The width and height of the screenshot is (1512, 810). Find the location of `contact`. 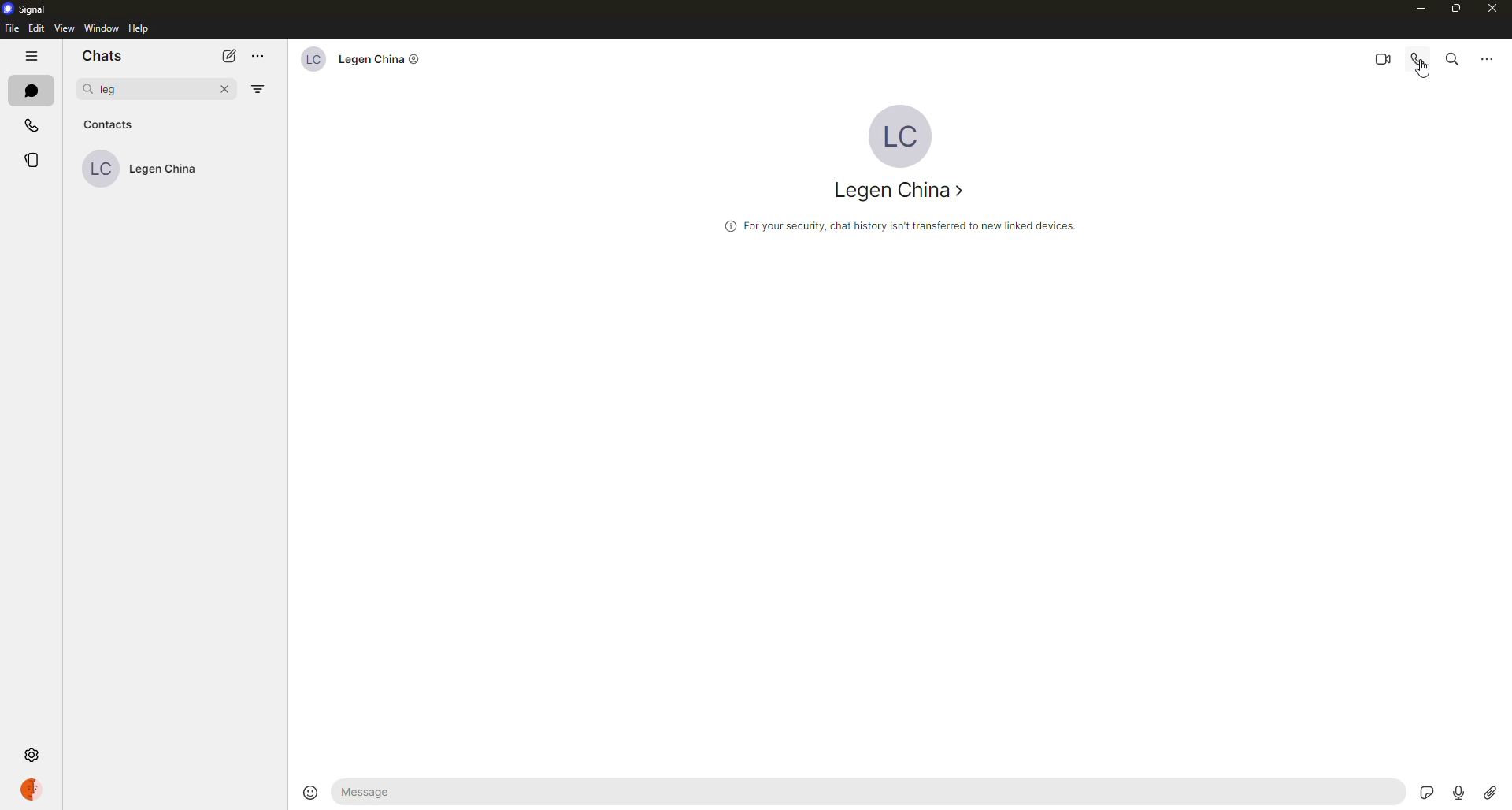

contact is located at coordinates (364, 58).